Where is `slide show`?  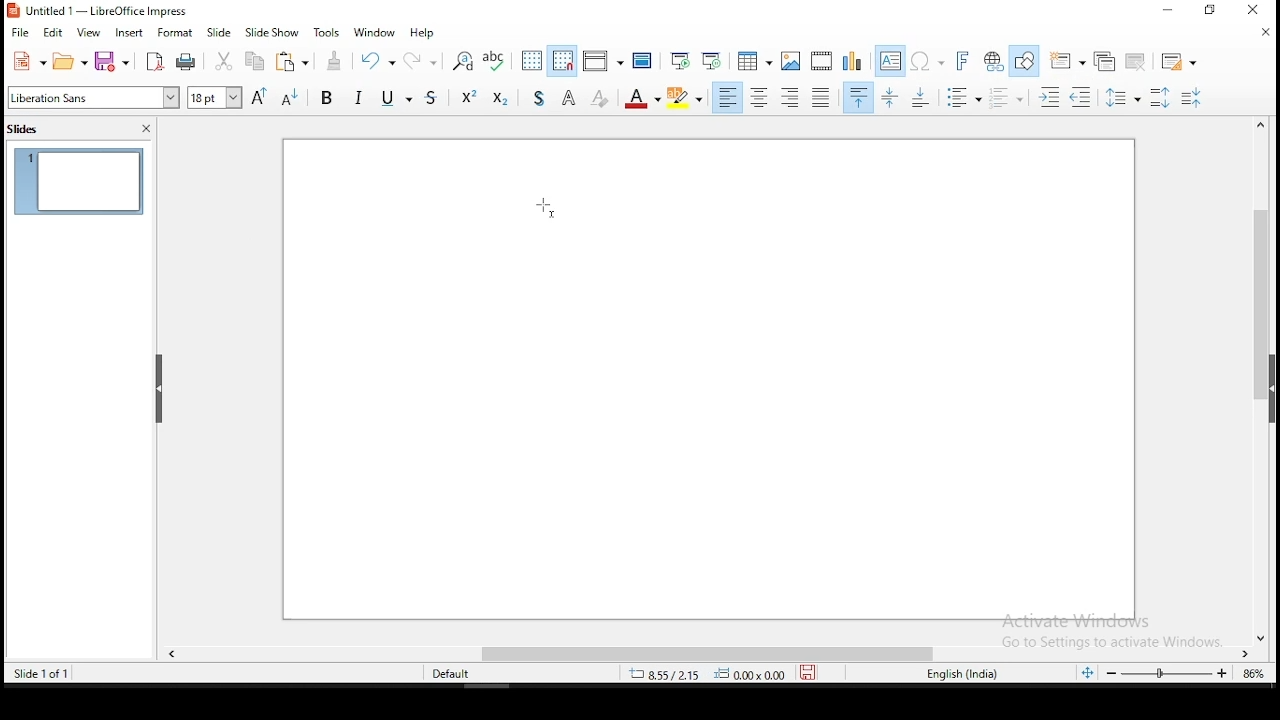
slide show is located at coordinates (272, 33).